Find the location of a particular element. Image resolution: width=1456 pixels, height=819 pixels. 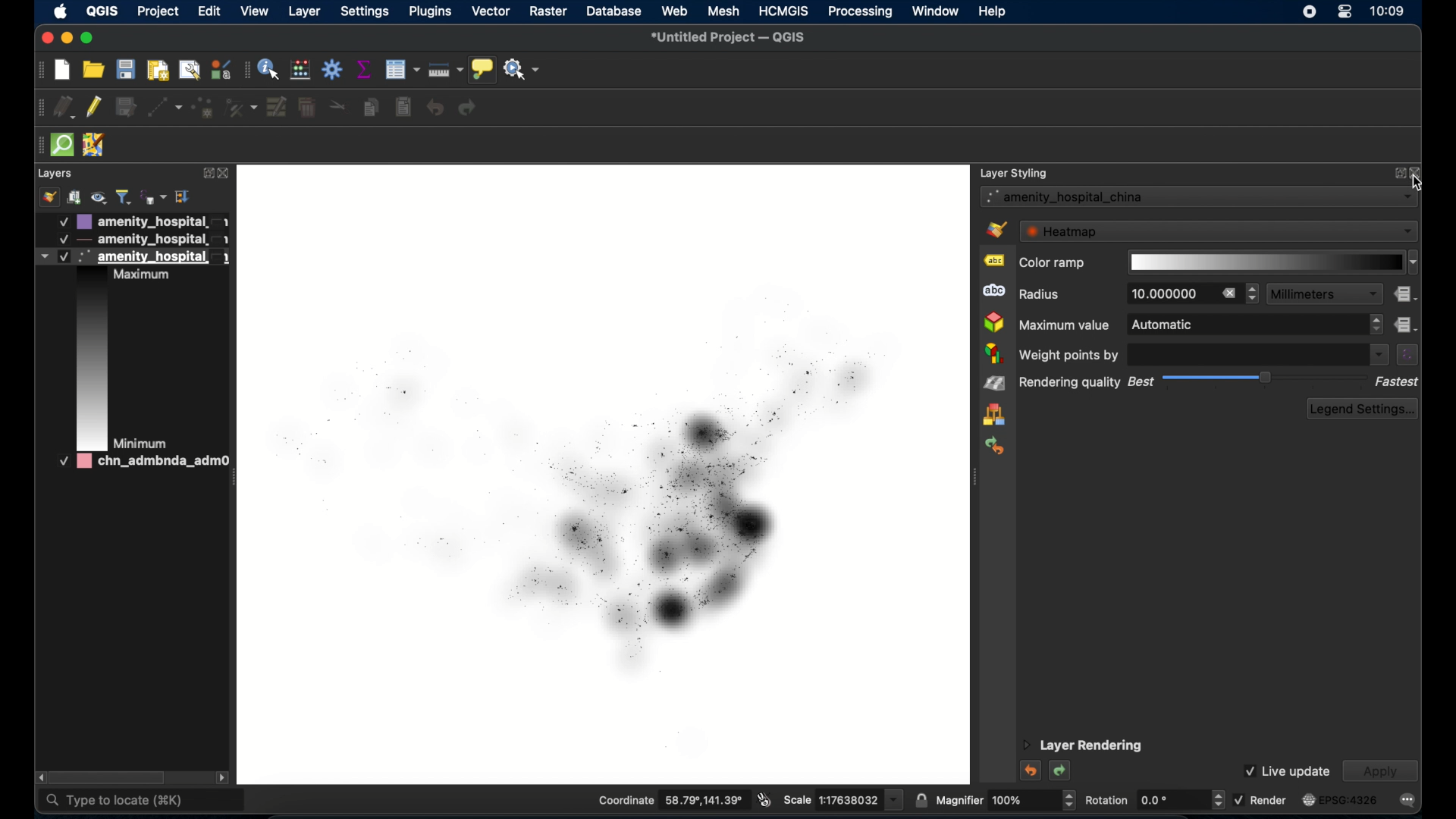

toolbox is located at coordinates (333, 69).